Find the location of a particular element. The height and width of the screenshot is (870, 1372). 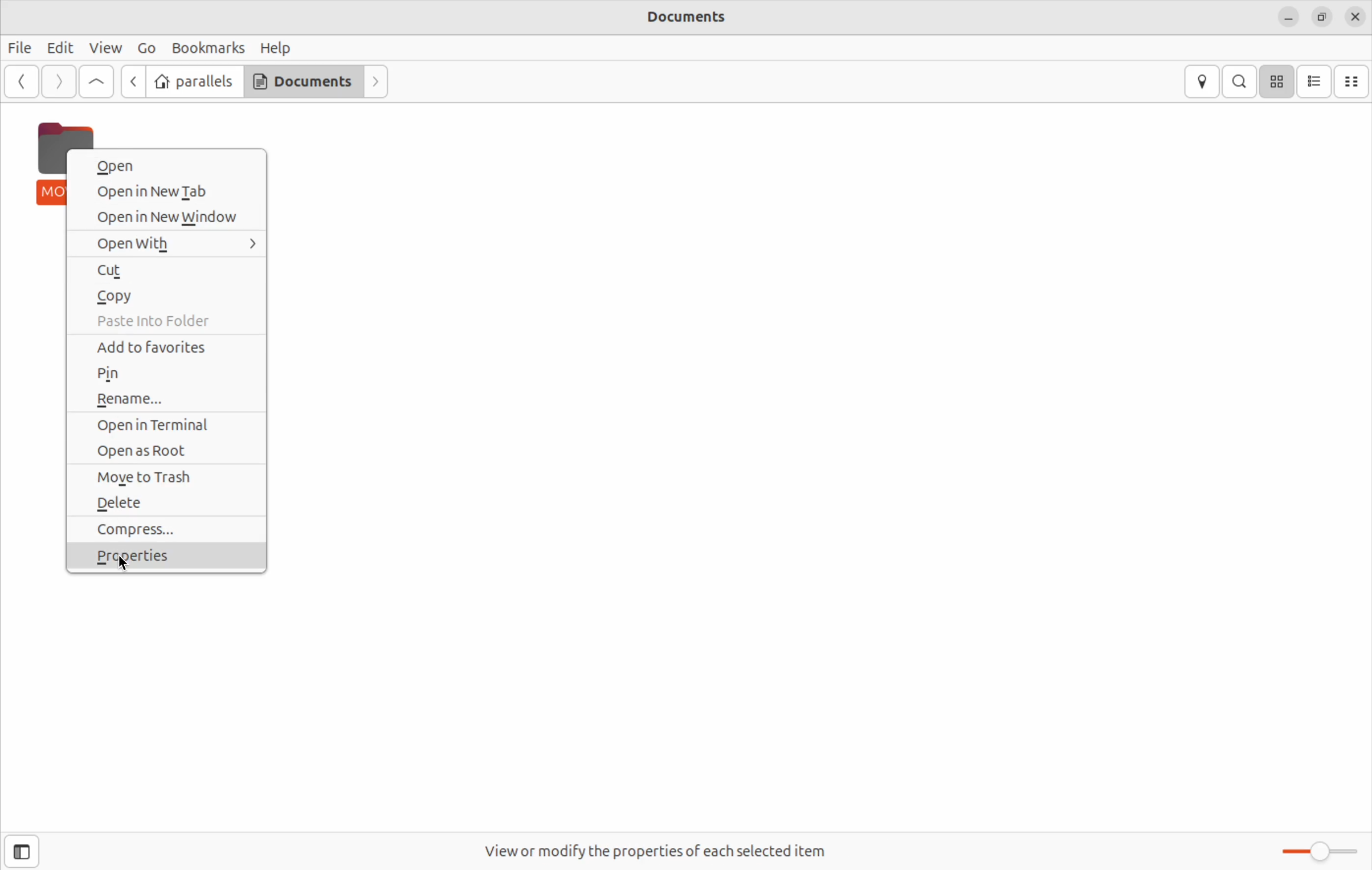

rename is located at coordinates (165, 399).